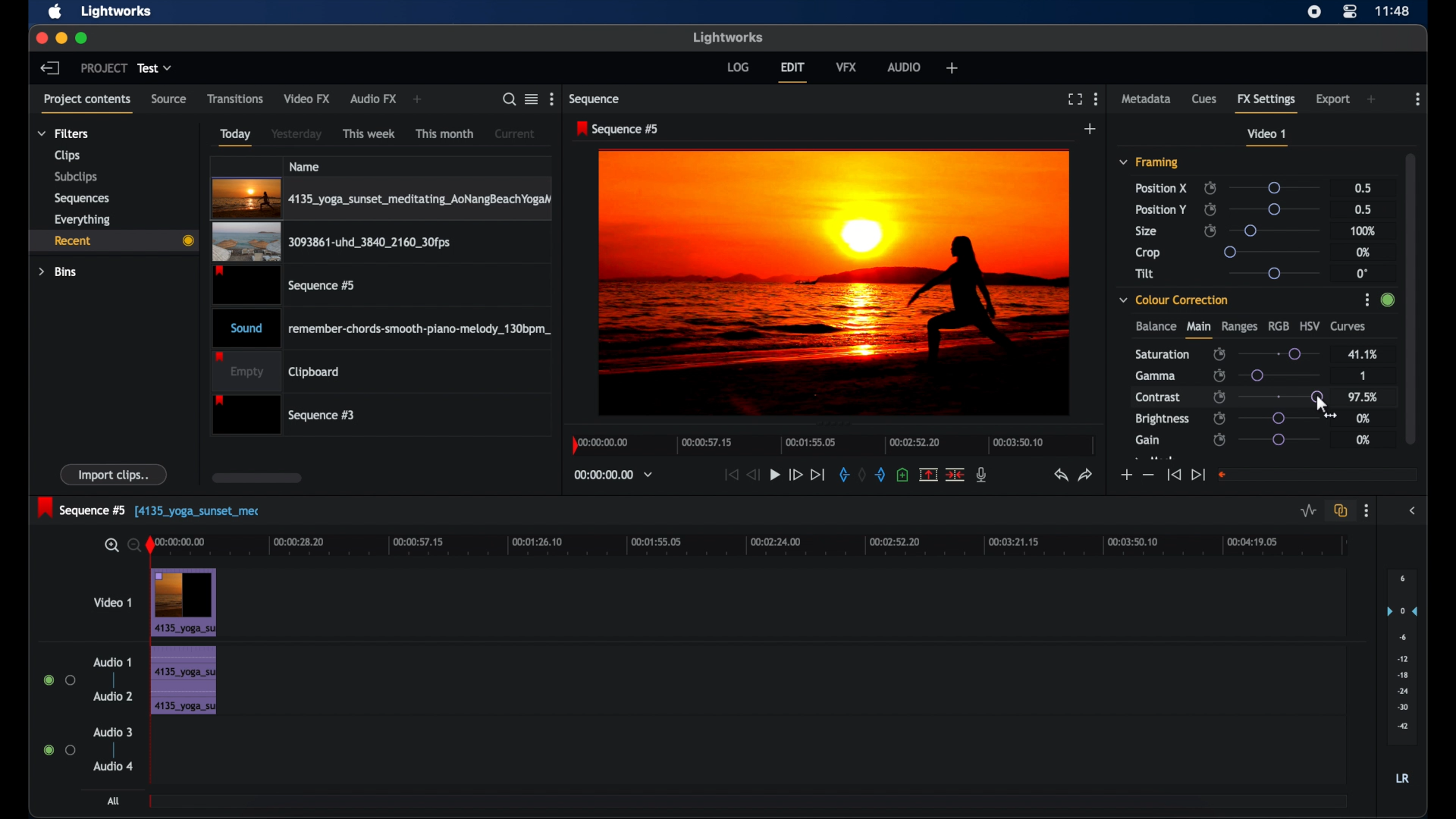 This screenshot has height=819, width=1456. What do you see at coordinates (759, 547) in the screenshot?
I see `timeline scale` at bounding box center [759, 547].